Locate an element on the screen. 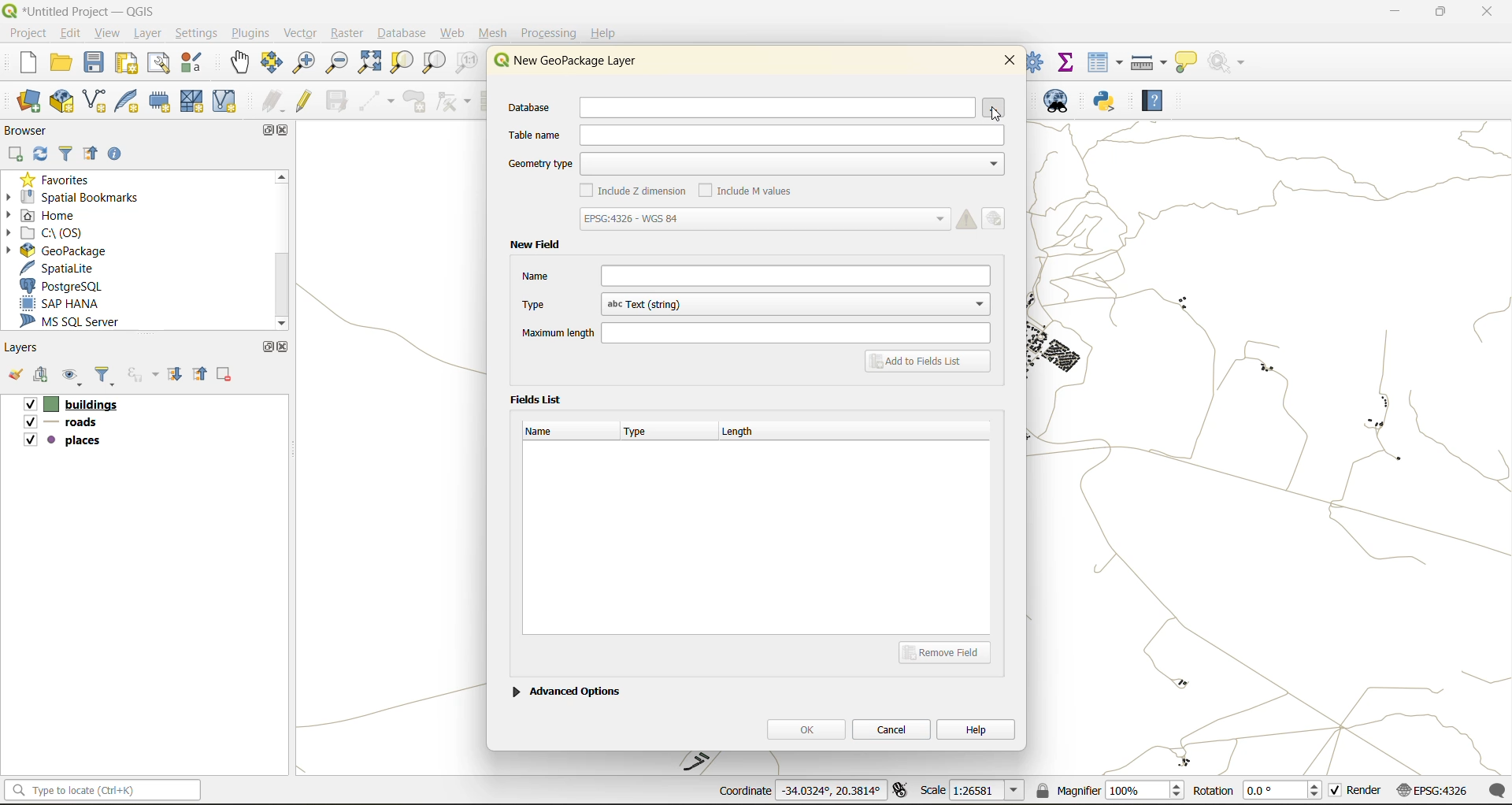  type is located at coordinates (643, 433).